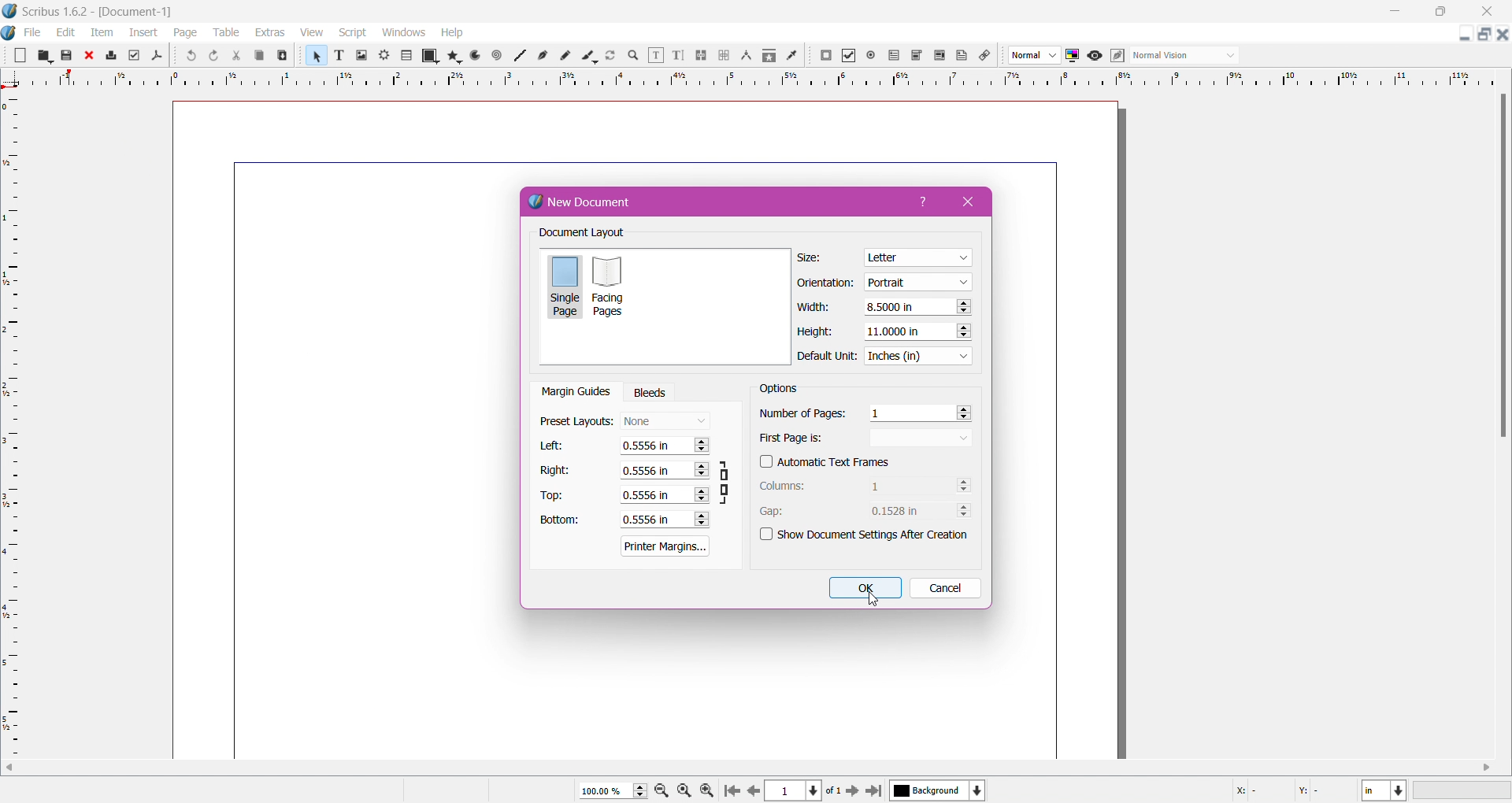 The height and width of the screenshot is (803, 1512). What do you see at coordinates (586, 57) in the screenshot?
I see `icon` at bounding box center [586, 57].